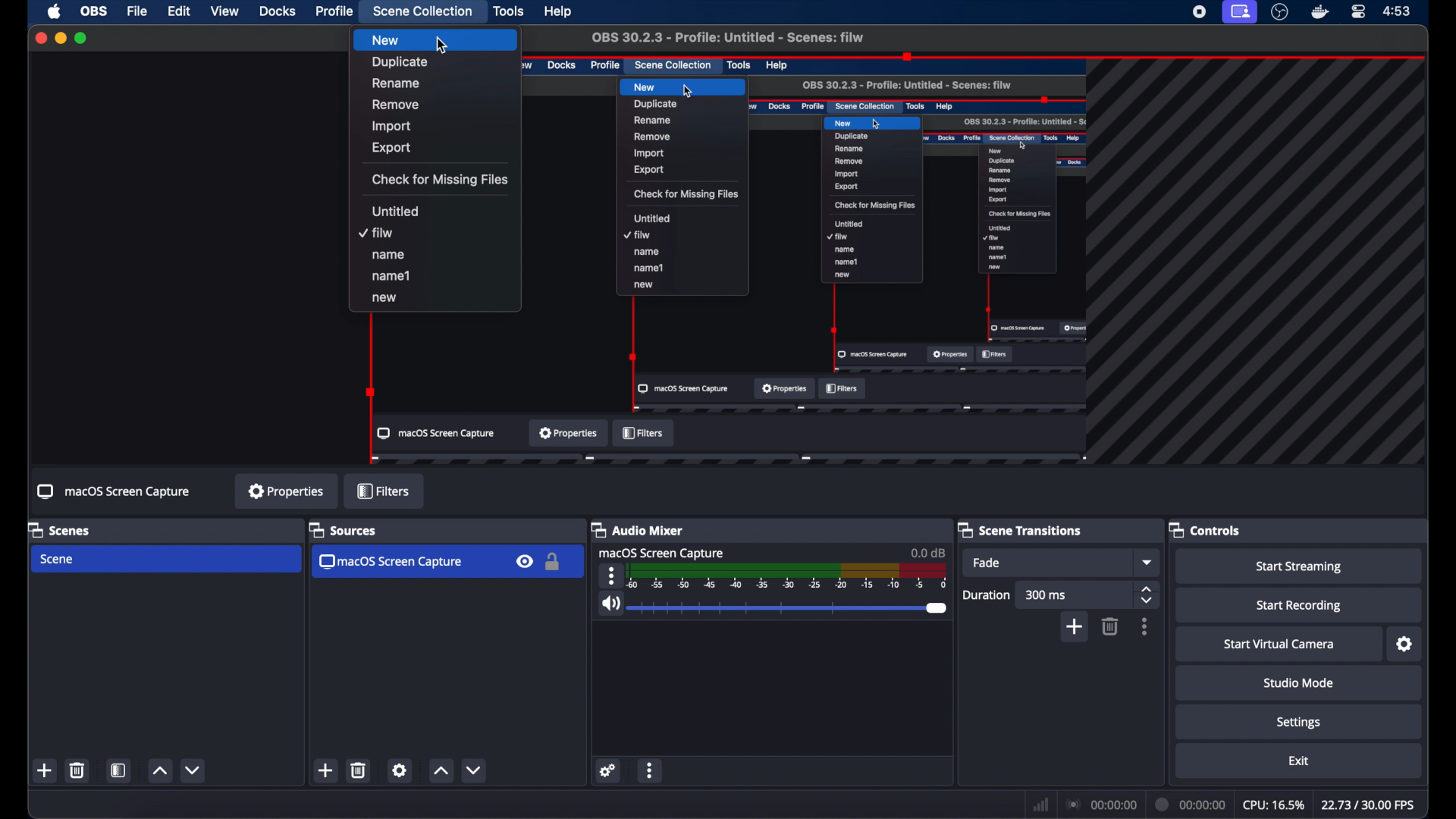 This screenshot has height=819, width=1456. What do you see at coordinates (642, 529) in the screenshot?
I see `audio mixer` at bounding box center [642, 529].